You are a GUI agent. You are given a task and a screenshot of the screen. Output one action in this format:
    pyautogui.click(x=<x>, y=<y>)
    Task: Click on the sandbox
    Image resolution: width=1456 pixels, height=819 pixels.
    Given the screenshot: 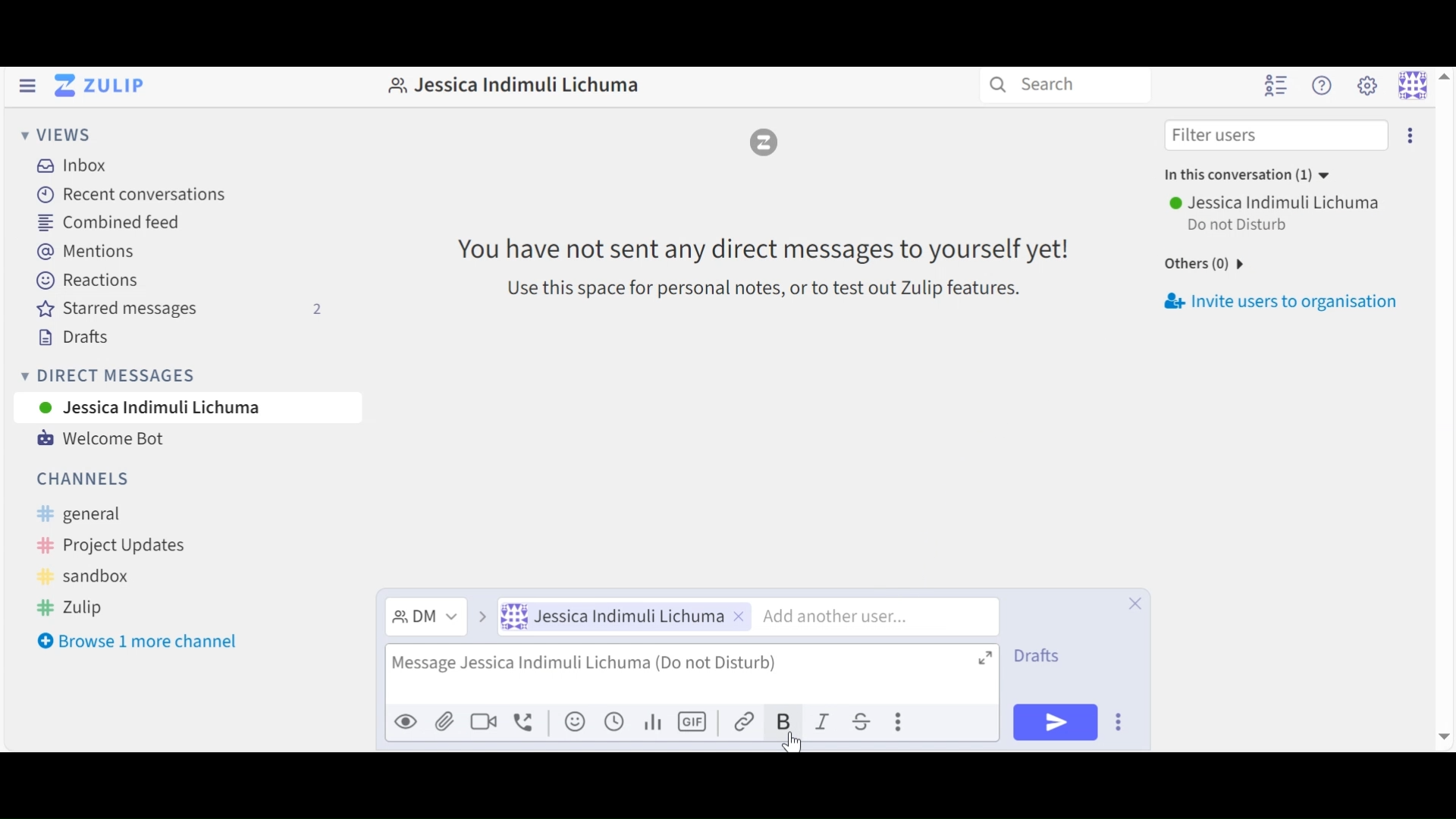 What is the action you would take?
    pyautogui.click(x=89, y=576)
    